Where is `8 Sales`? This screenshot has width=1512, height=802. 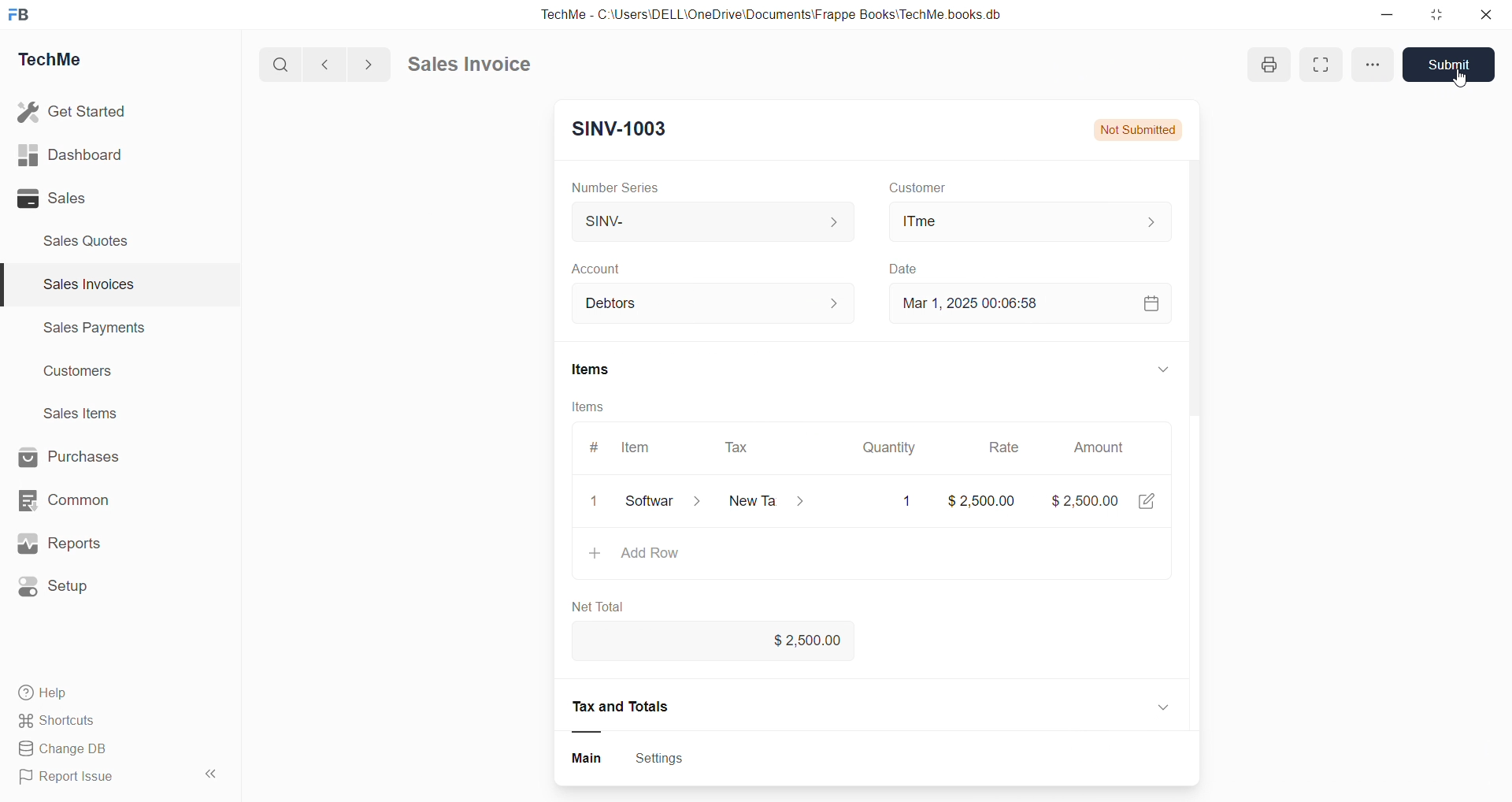
8 Sales is located at coordinates (55, 198).